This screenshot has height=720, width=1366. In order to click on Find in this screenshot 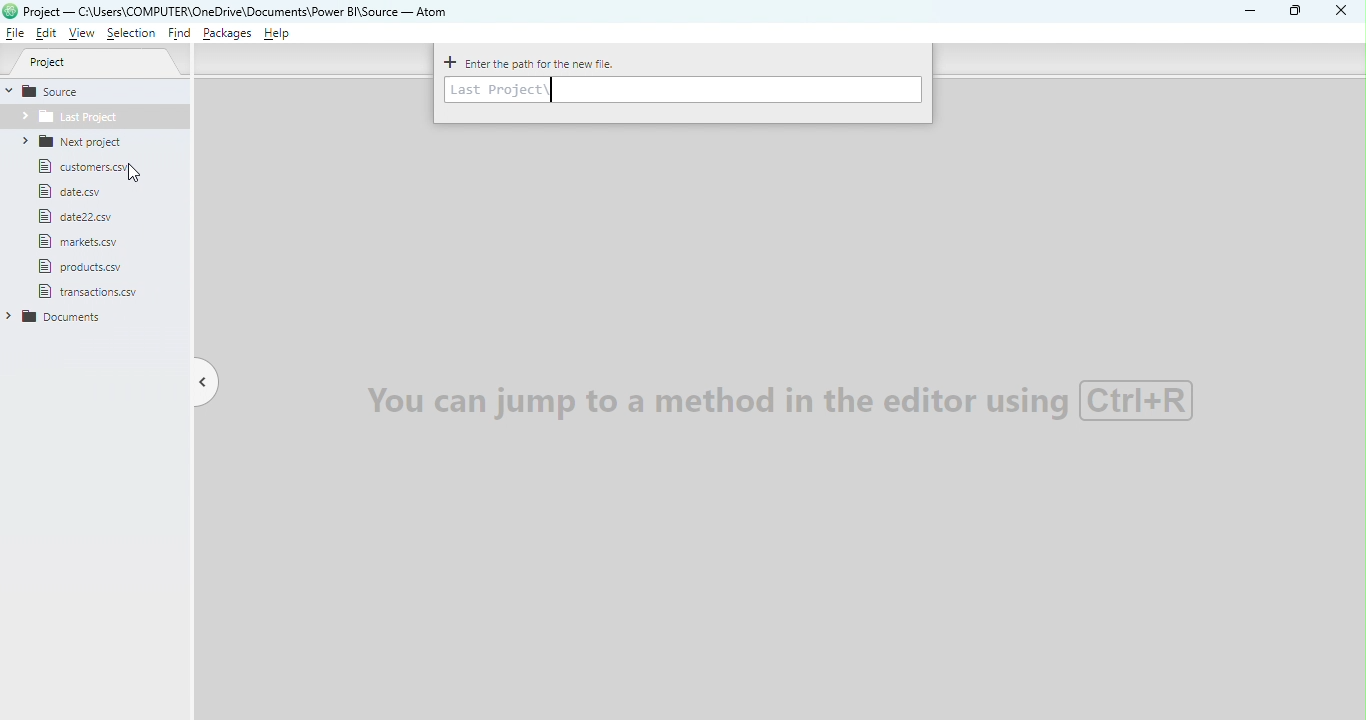, I will do `click(179, 35)`.